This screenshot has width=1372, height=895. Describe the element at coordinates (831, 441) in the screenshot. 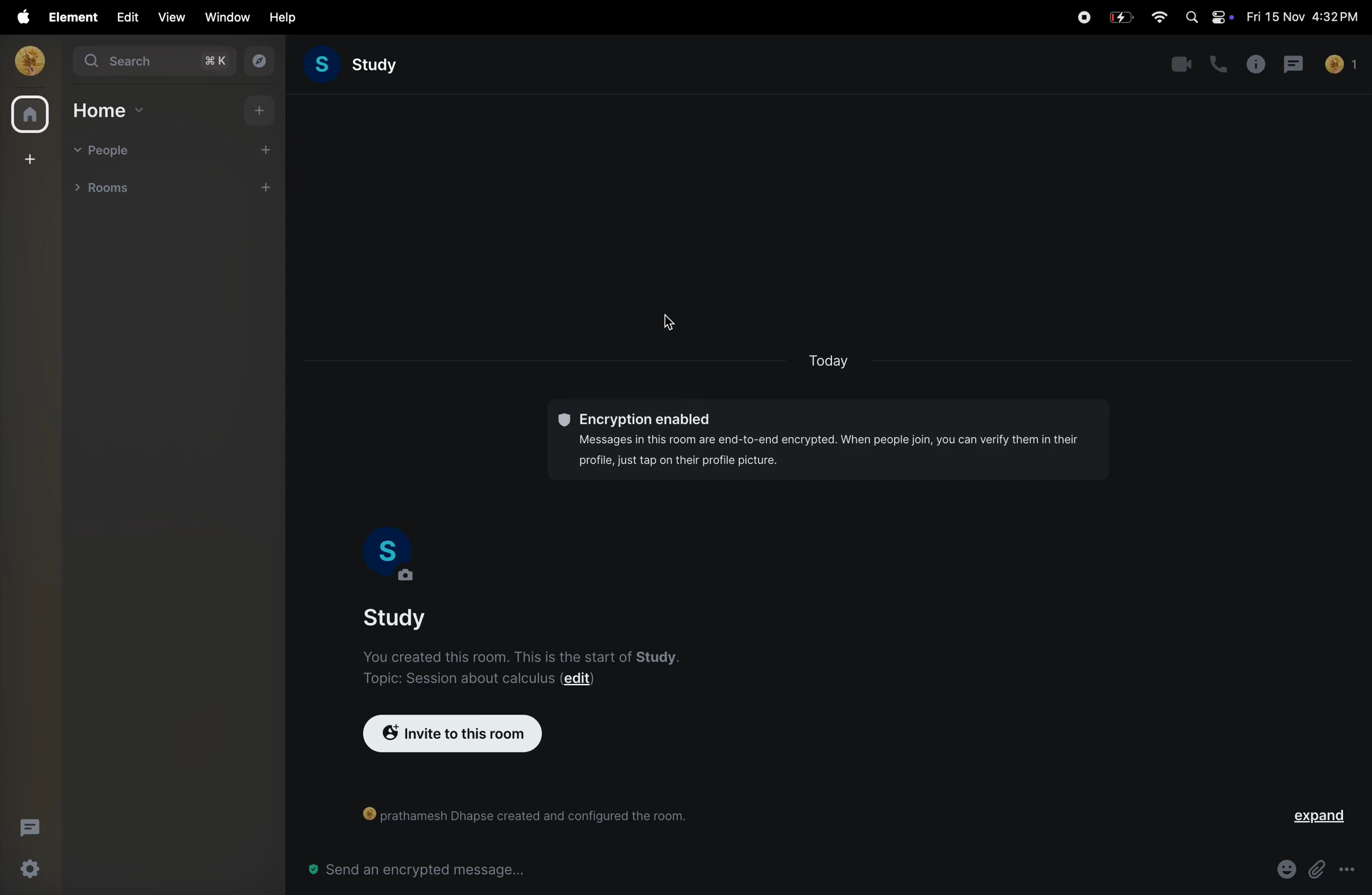

I see `Encryption enabled` at that location.